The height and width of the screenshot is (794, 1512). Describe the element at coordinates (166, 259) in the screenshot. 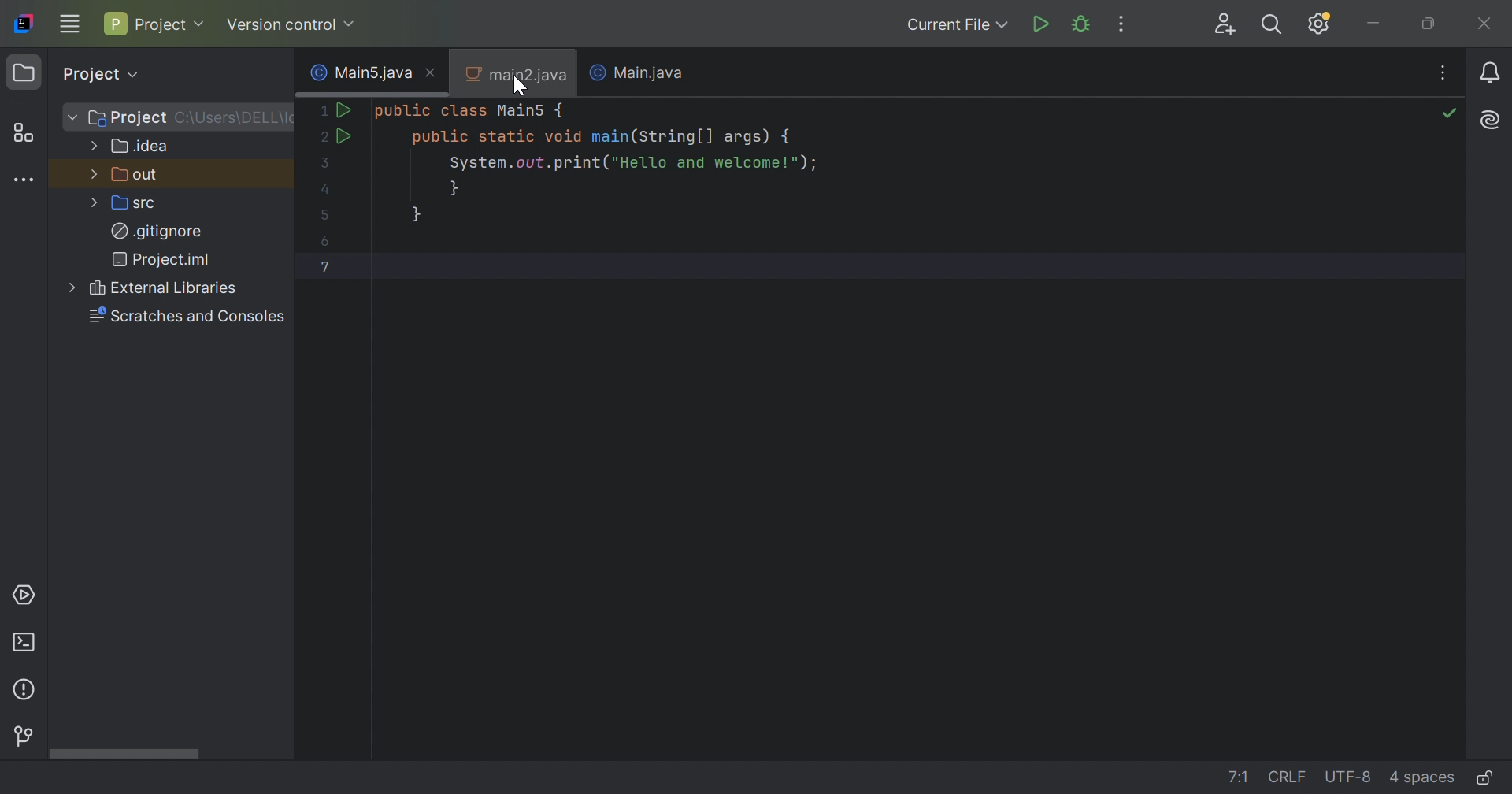

I see `Project.iml` at that location.